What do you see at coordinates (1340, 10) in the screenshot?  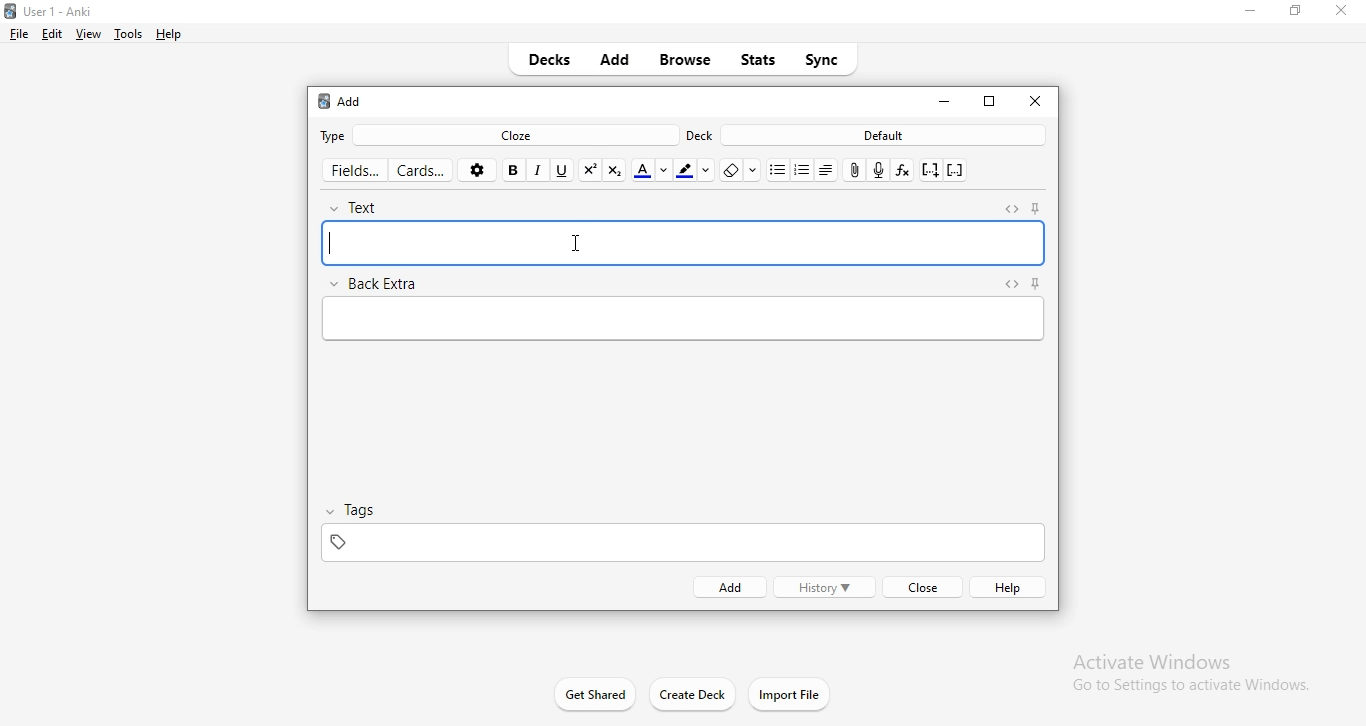 I see `close` at bounding box center [1340, 10].